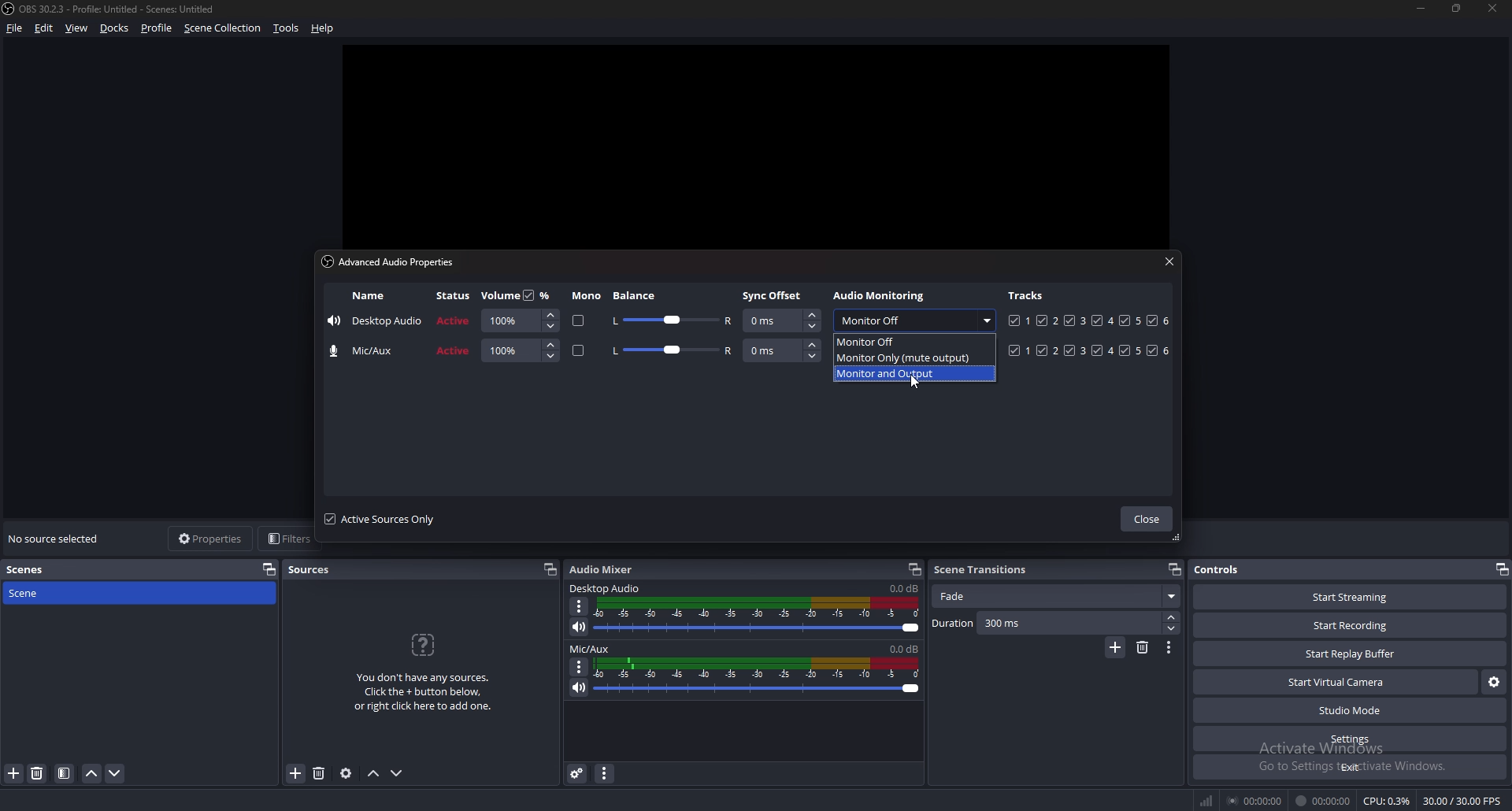  Describe the element at coordinates (376, 320) in the screenshot. I see `name` at that location.